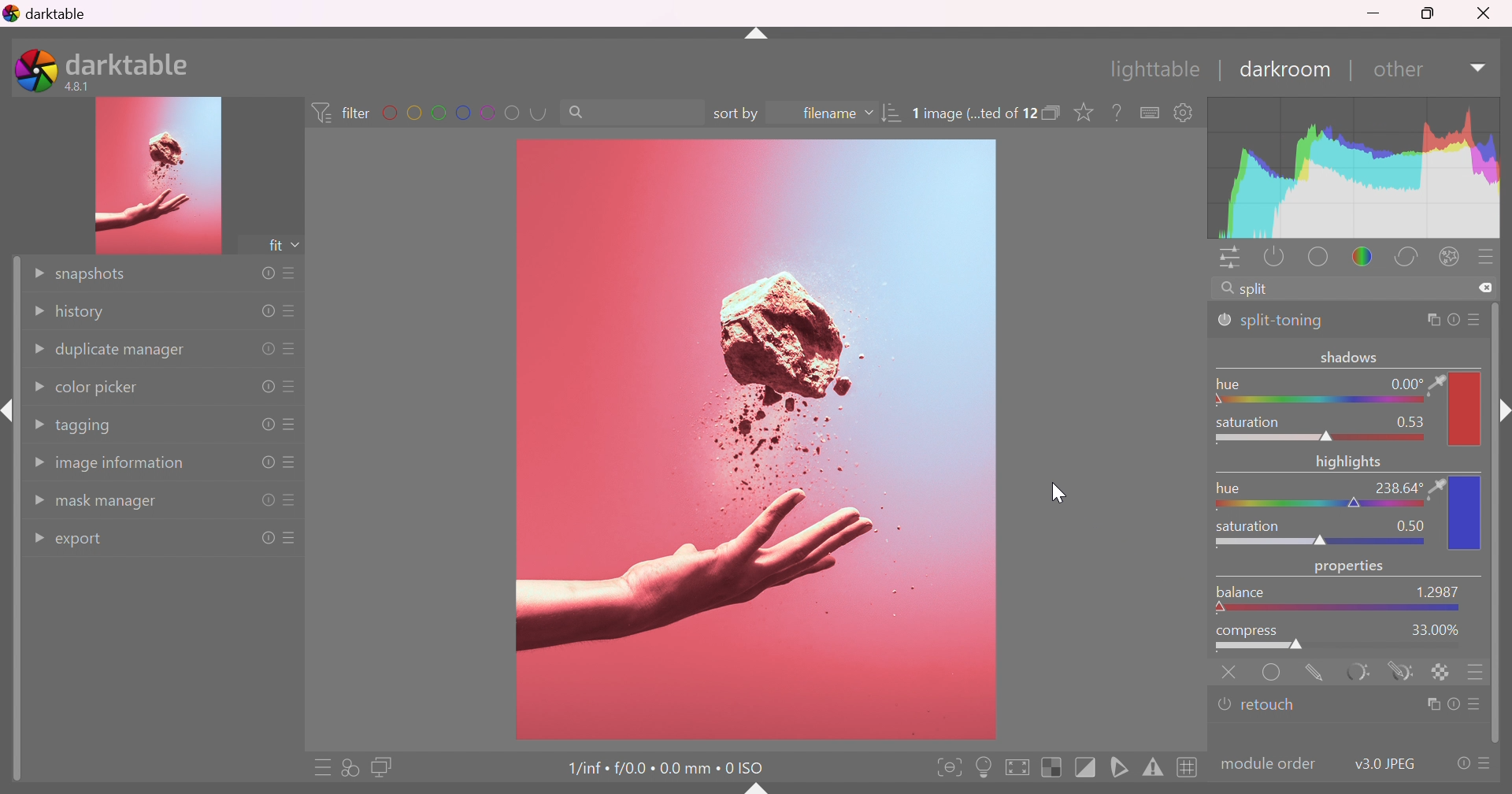  Describe the element at coordinates (124, 465) in the screenshot. I see `image information` at that location.